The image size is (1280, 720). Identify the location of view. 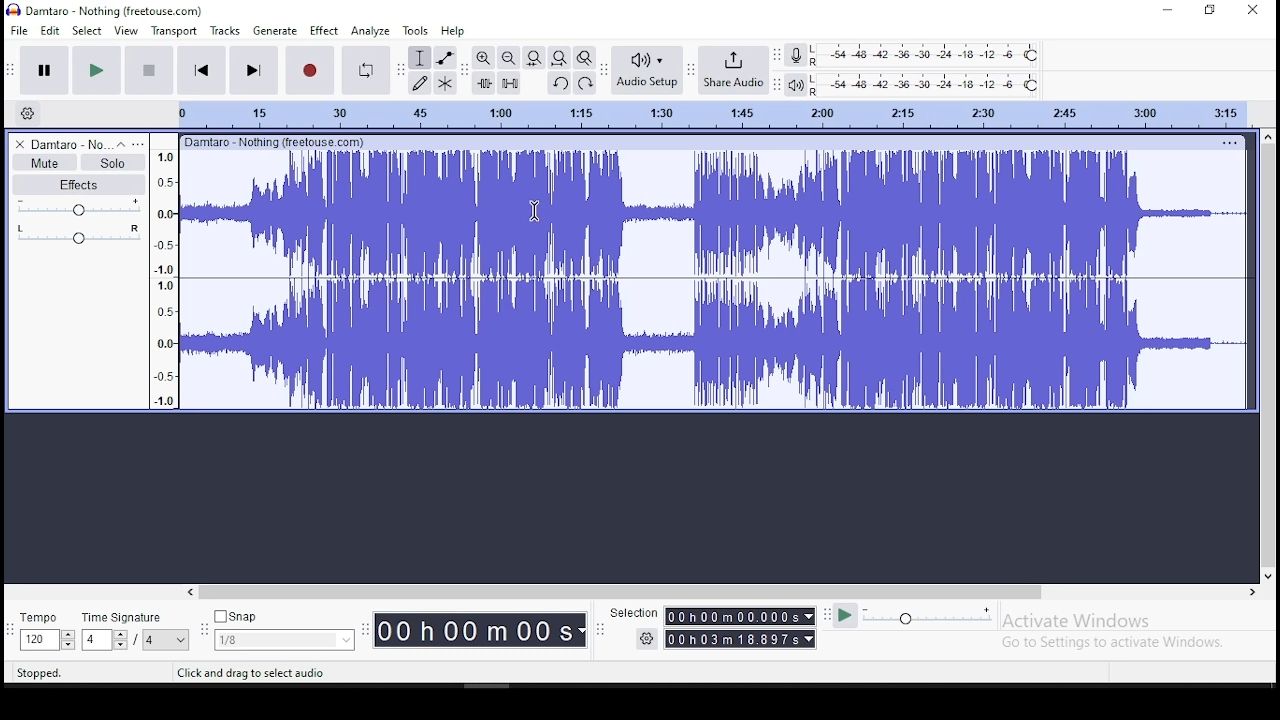
(126, 30).